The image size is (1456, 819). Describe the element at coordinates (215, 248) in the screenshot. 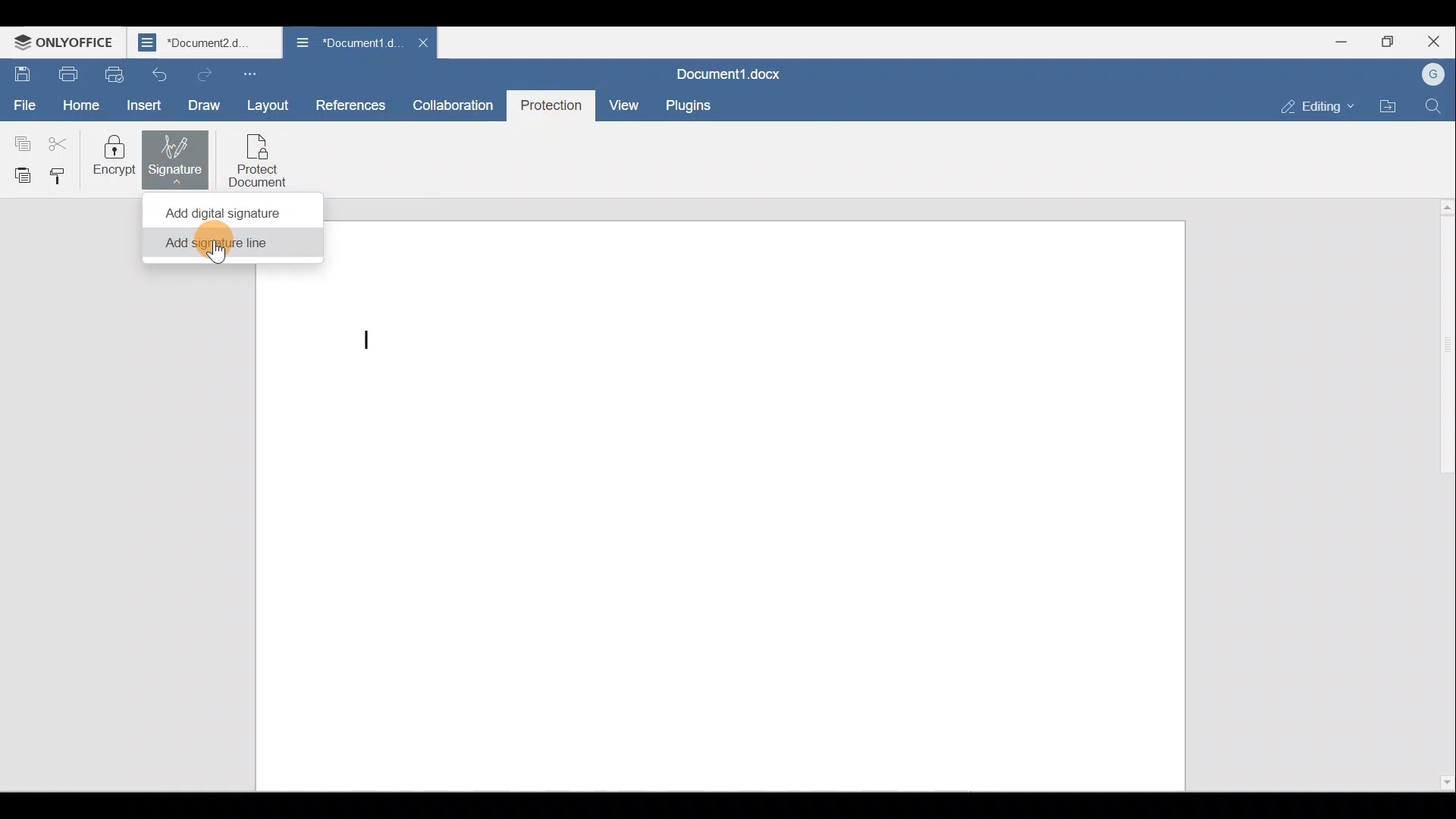

I see `Cursor on Add signature line` at that location.